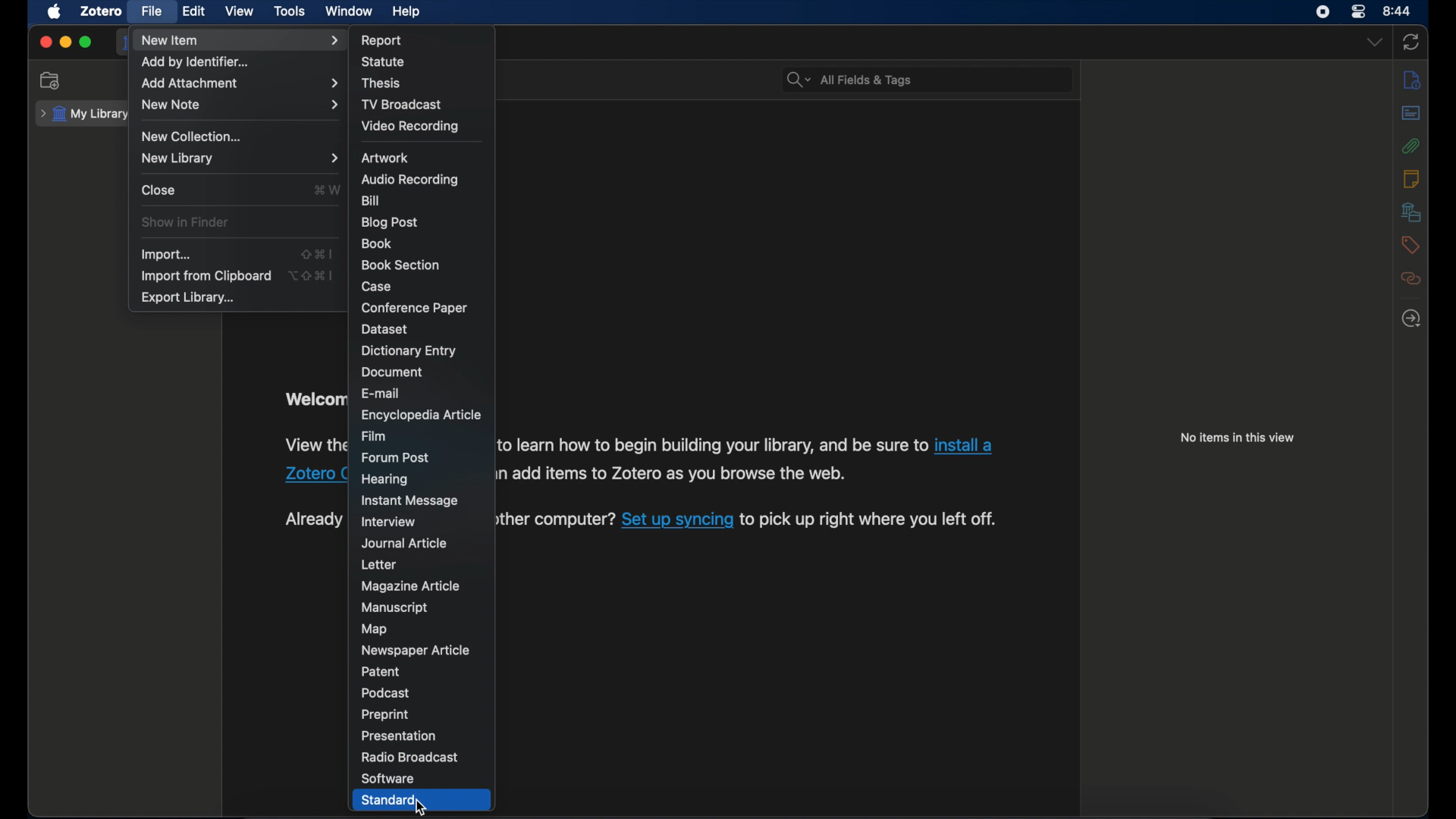 The width and height of the screenshot is (1456, 819). I want to click on dropdown, so click(1375, 42).